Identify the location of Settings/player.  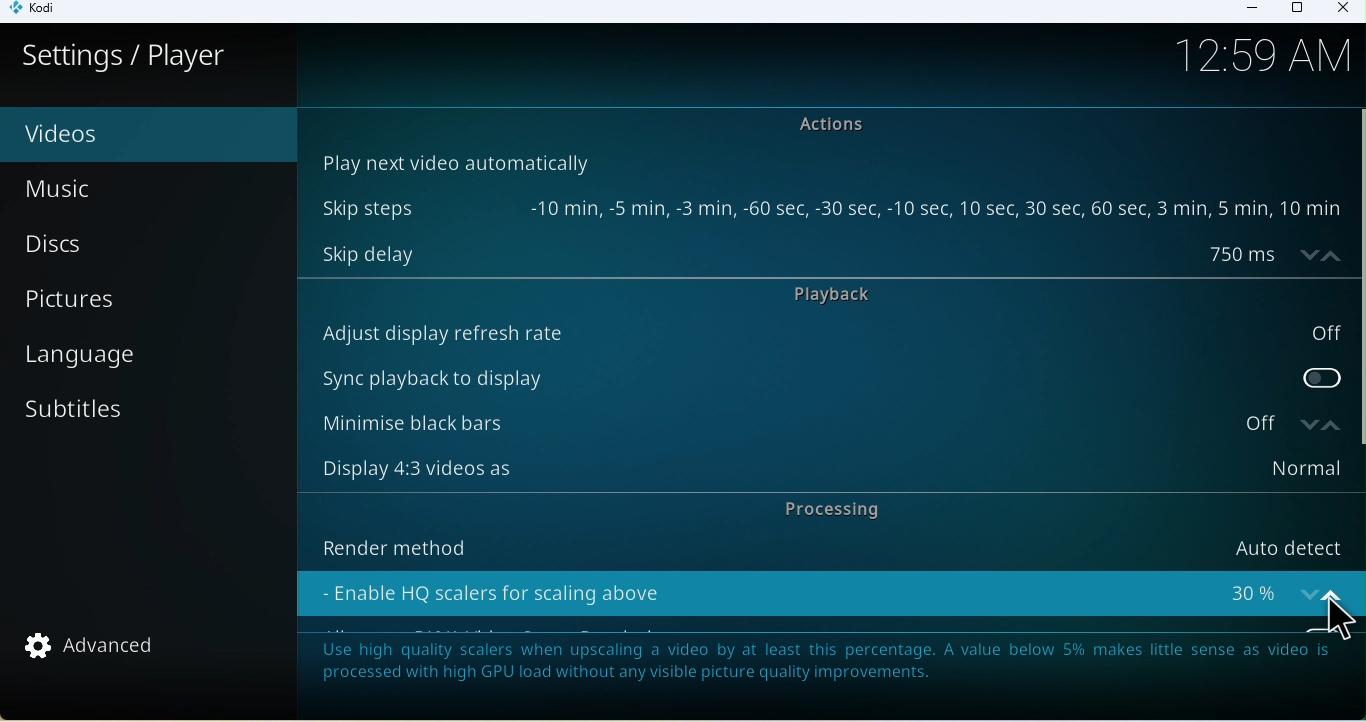
(125, 56).